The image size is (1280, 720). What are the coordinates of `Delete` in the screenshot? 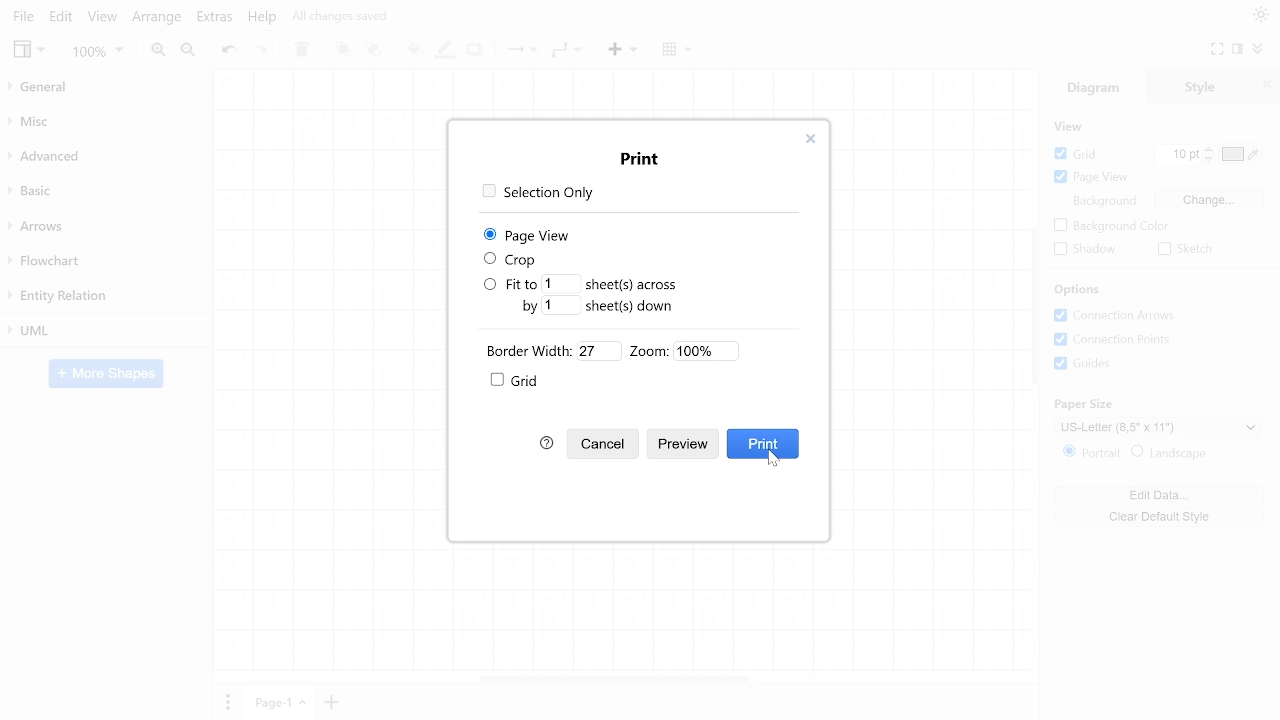 It's located at (302, 50).